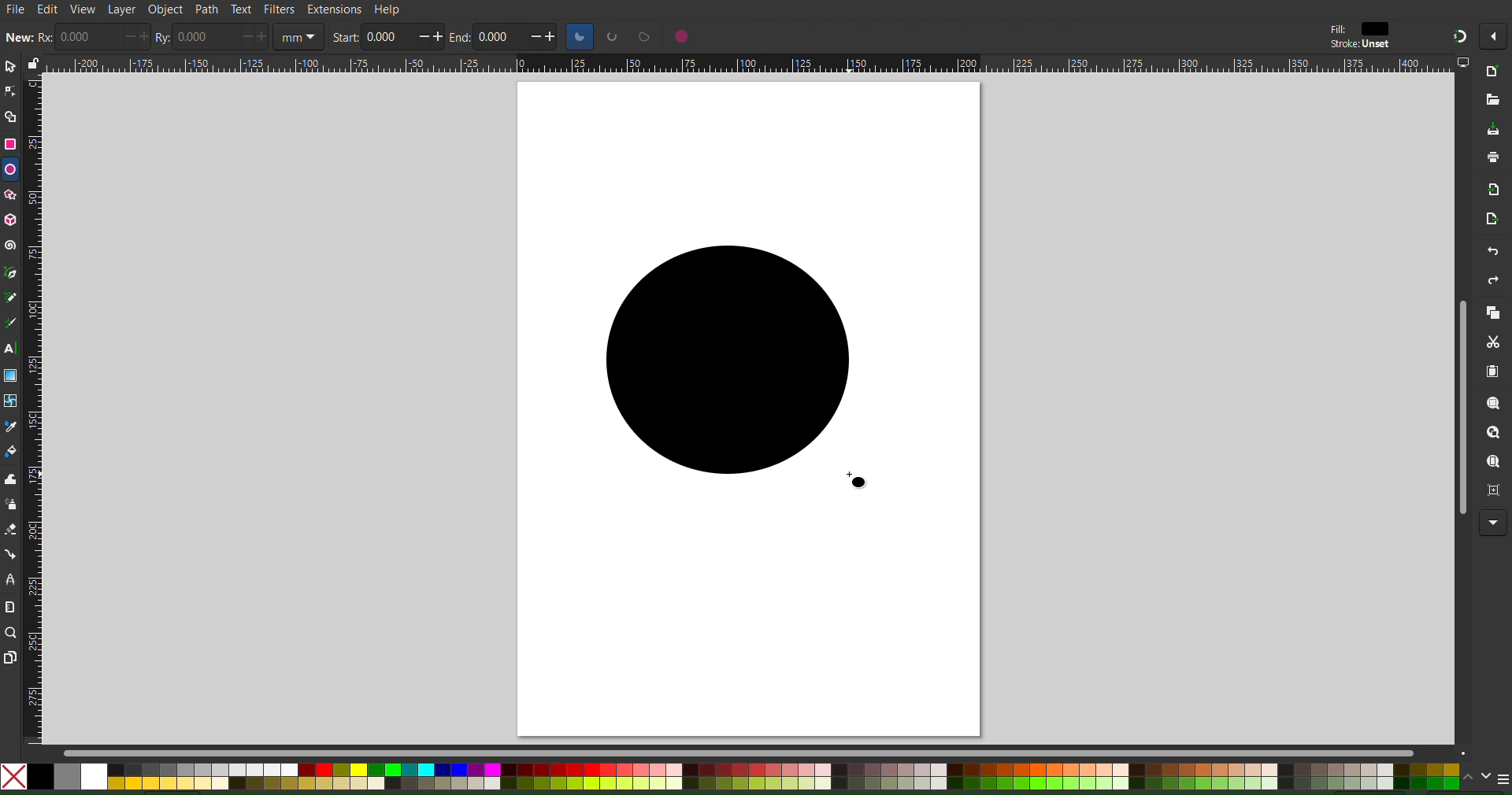 The image size is (1512, 795). Describe the element at coordinates (1493, 491) in the screenshot. I see `Zoom Page Center` at that location.